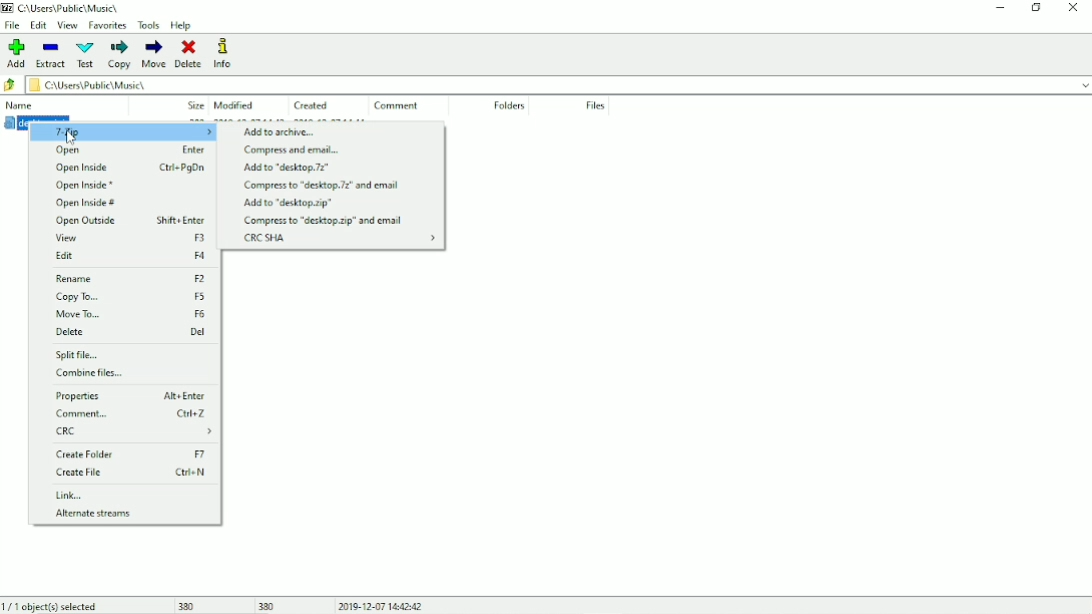  What do you see at coordinates (130, 239) in the screenshot?
I see `View` at bounding box center [130, 239].